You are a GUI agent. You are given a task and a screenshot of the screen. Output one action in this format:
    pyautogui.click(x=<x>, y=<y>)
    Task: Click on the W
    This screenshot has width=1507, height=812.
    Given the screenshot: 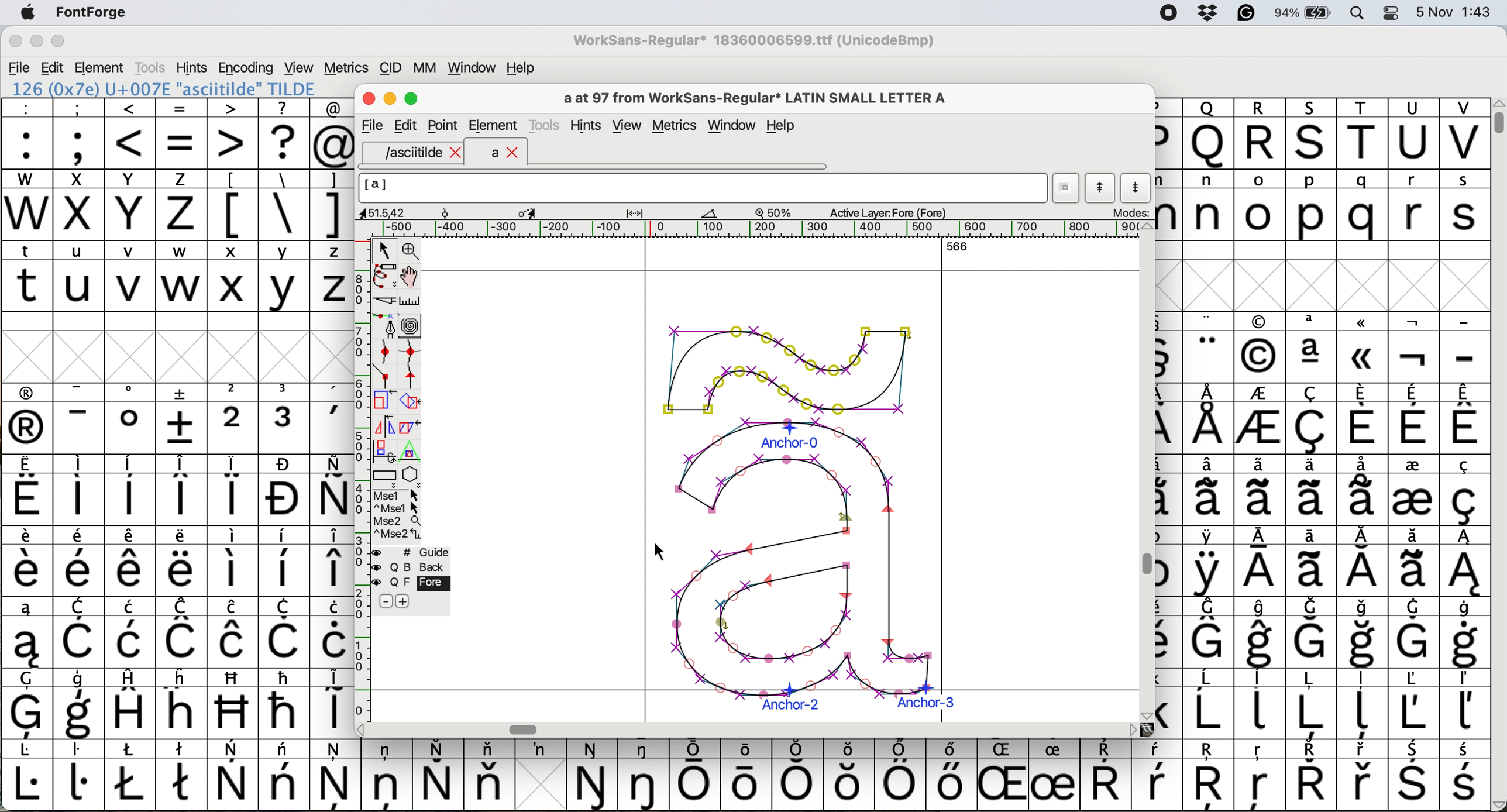 What is the action you would take?
    pyautogui.click(x=29, y=205)
    